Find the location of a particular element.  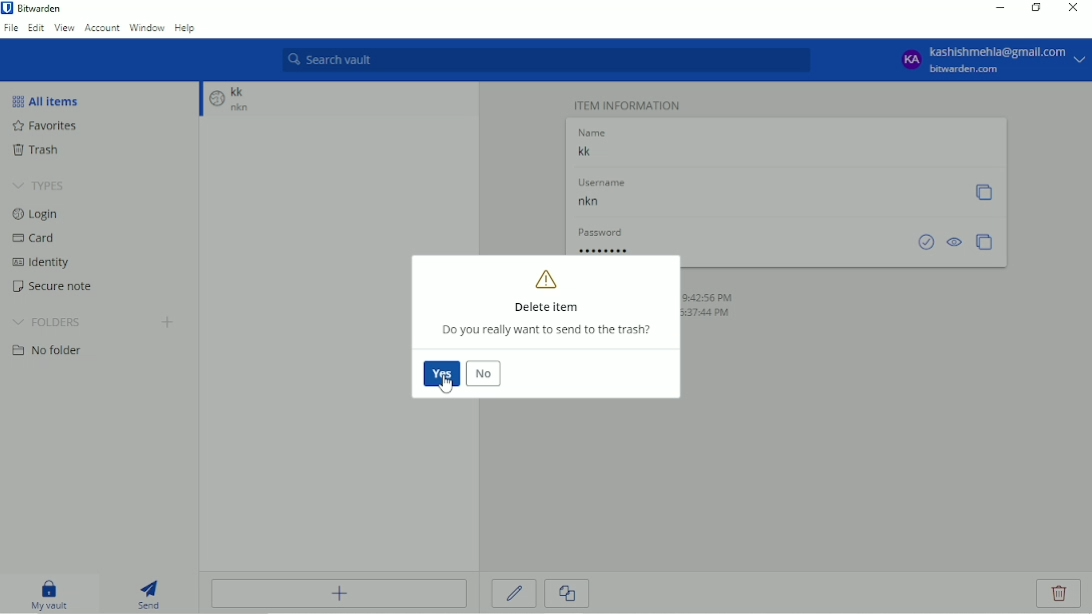

Bitwarden is located at coordinates (42, 9).